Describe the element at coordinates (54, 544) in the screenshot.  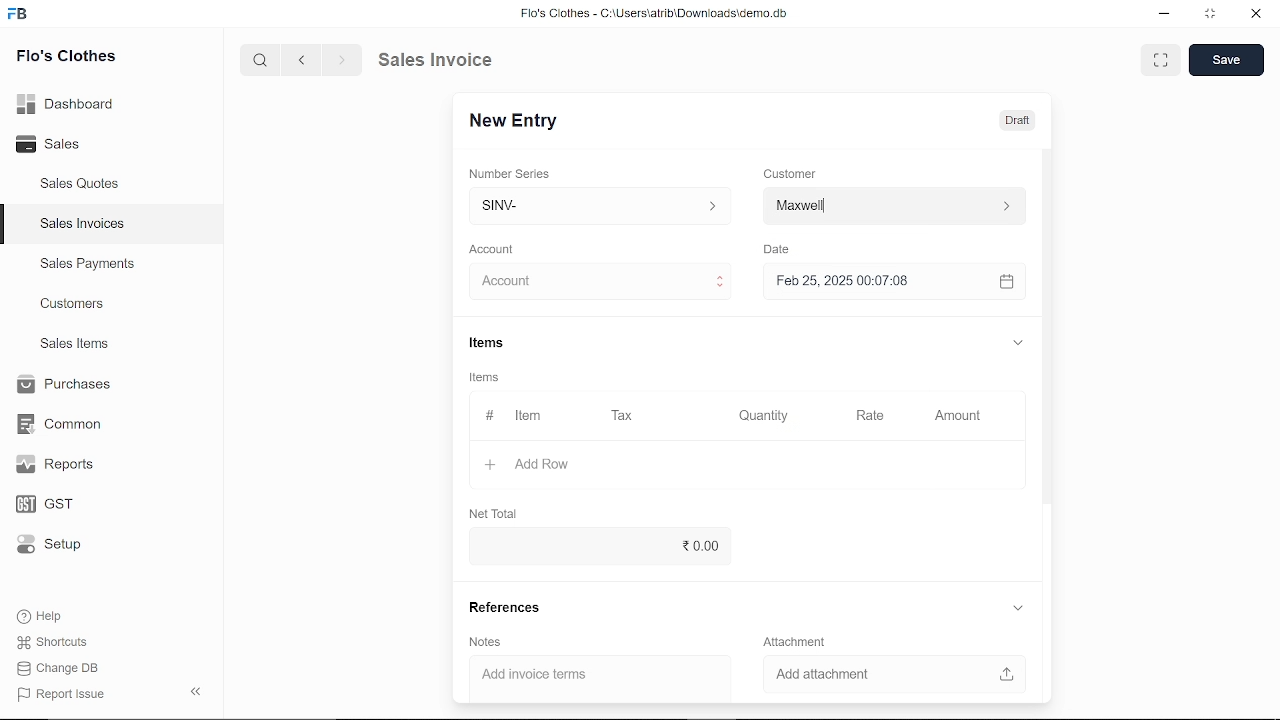
I see `Setup` at that location.